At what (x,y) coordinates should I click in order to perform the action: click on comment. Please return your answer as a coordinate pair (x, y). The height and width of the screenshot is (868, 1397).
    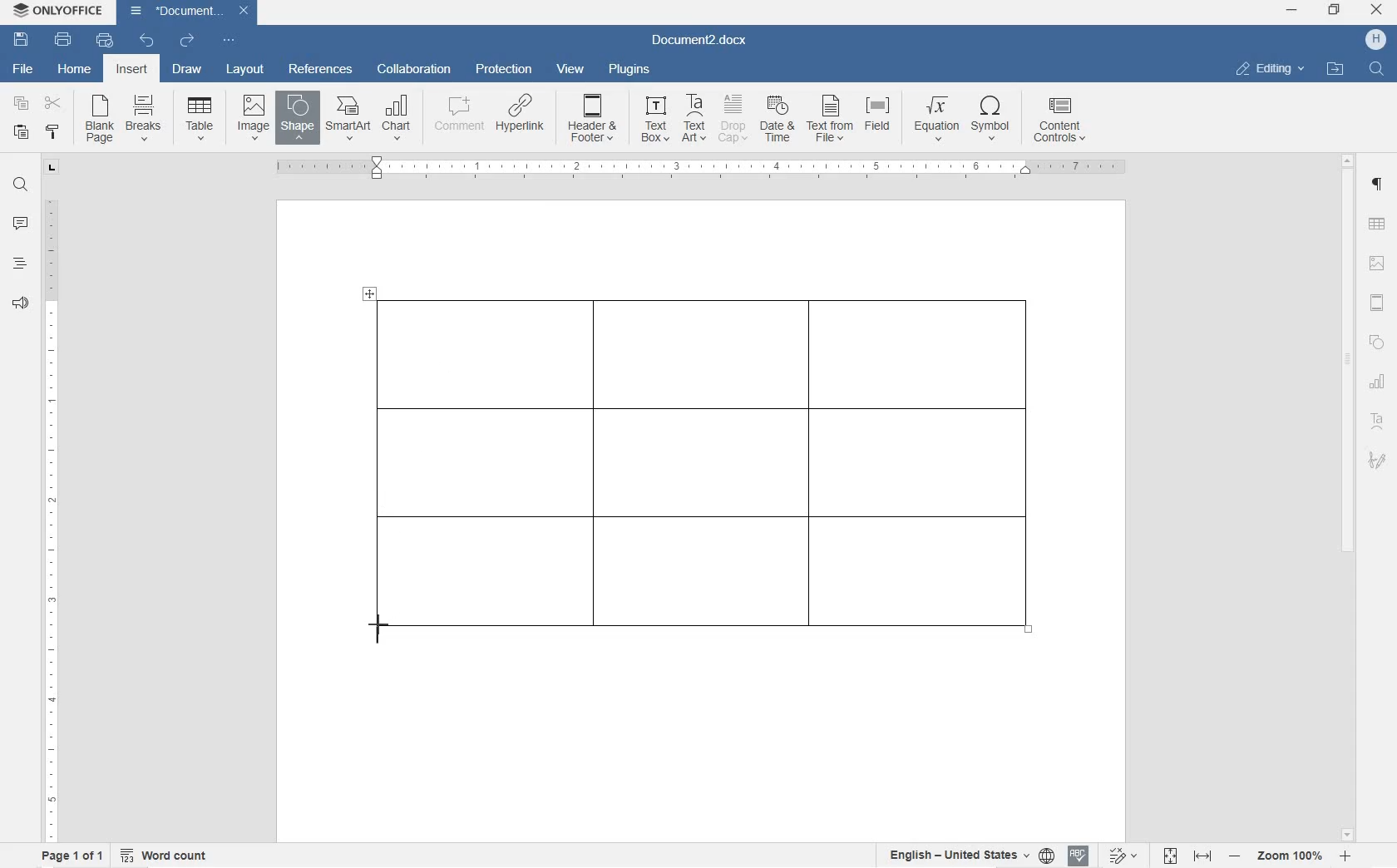
    Looking at the image, I should click on (21, 224).